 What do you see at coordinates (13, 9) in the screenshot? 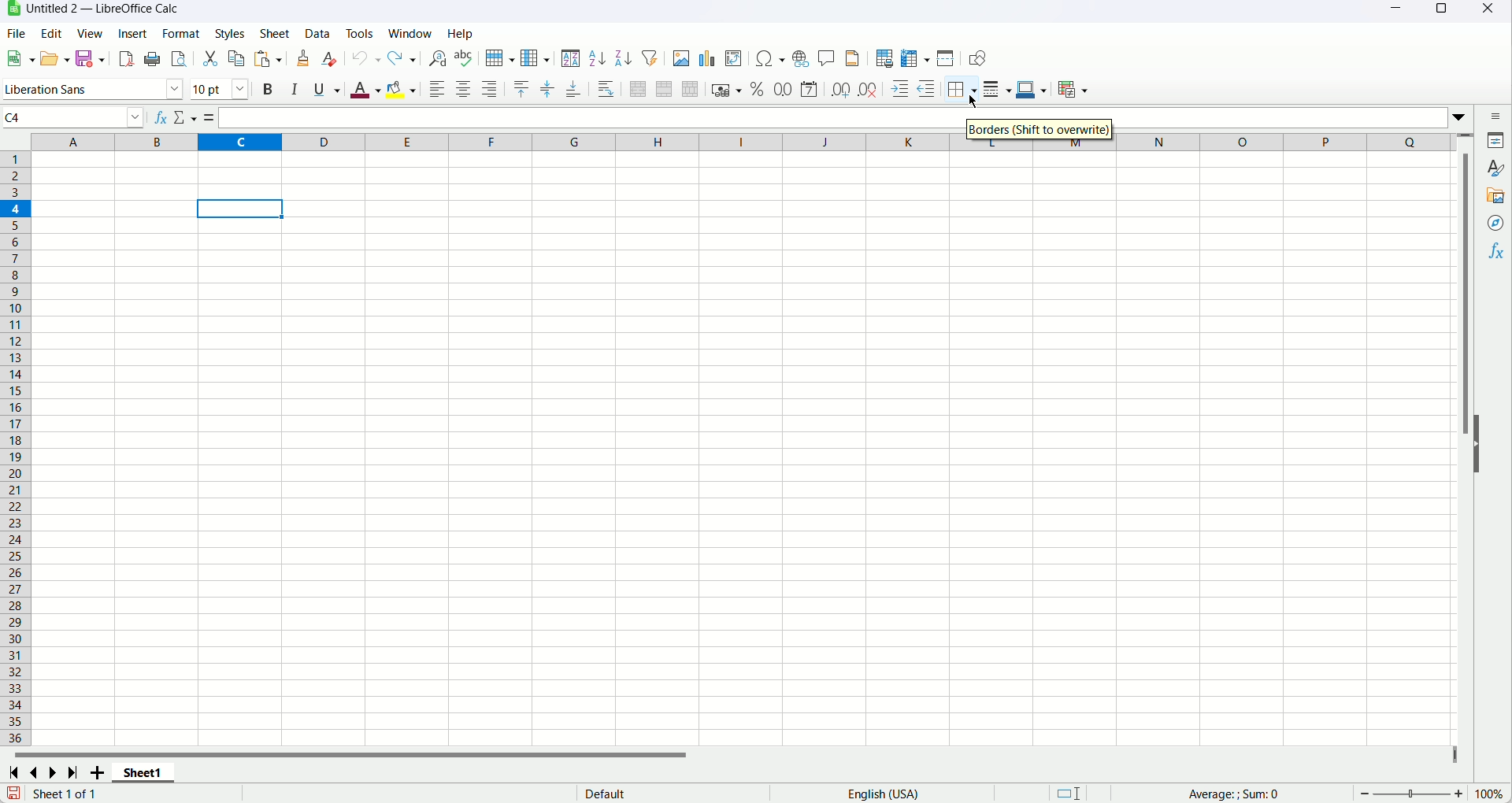
I see `application icon` at bounding box center [13, 9].